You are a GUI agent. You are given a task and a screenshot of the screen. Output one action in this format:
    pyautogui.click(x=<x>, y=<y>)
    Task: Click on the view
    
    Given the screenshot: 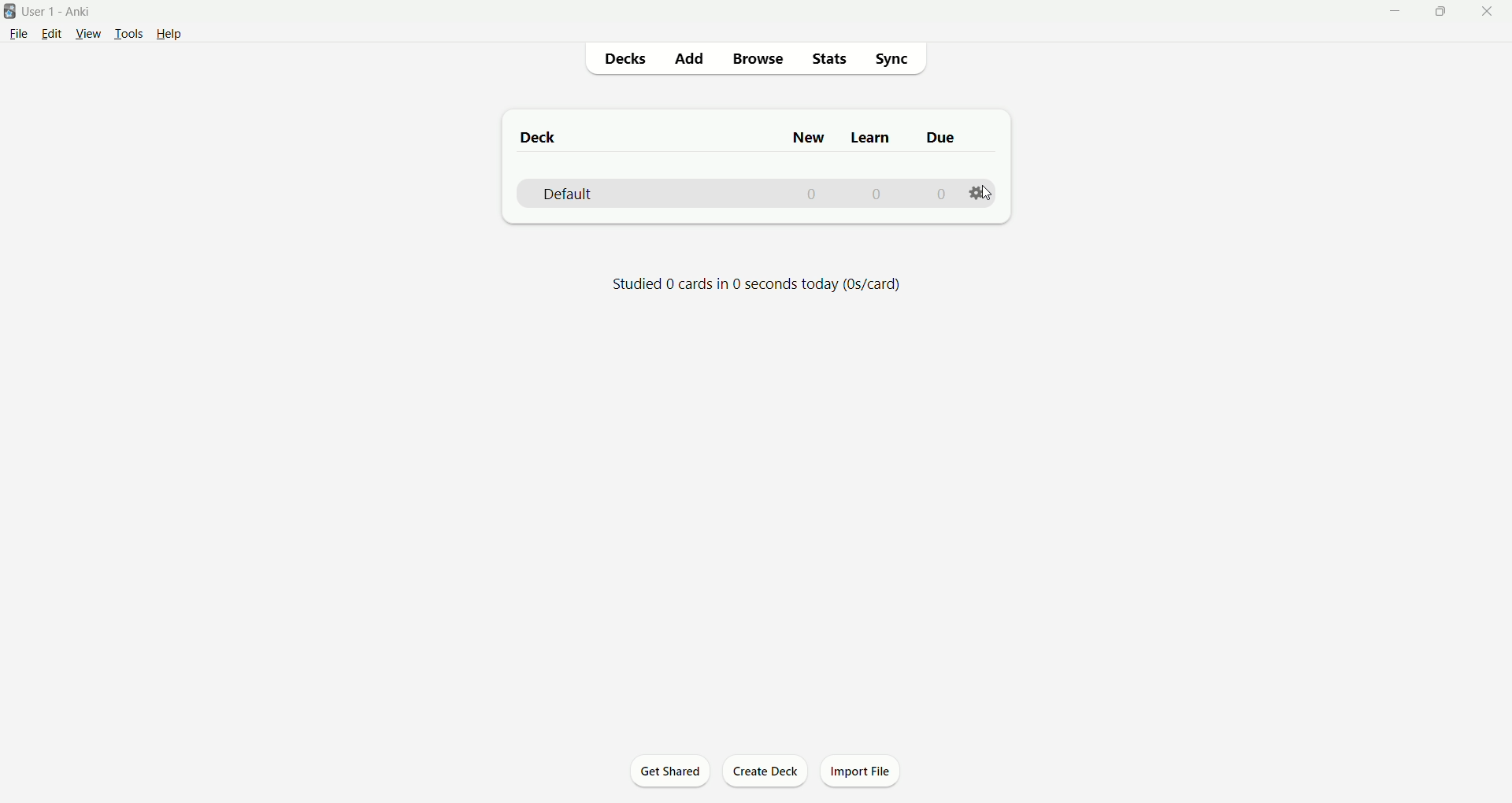 What is the action you would take?
    pyautogui.click(x=87, y=34)
    